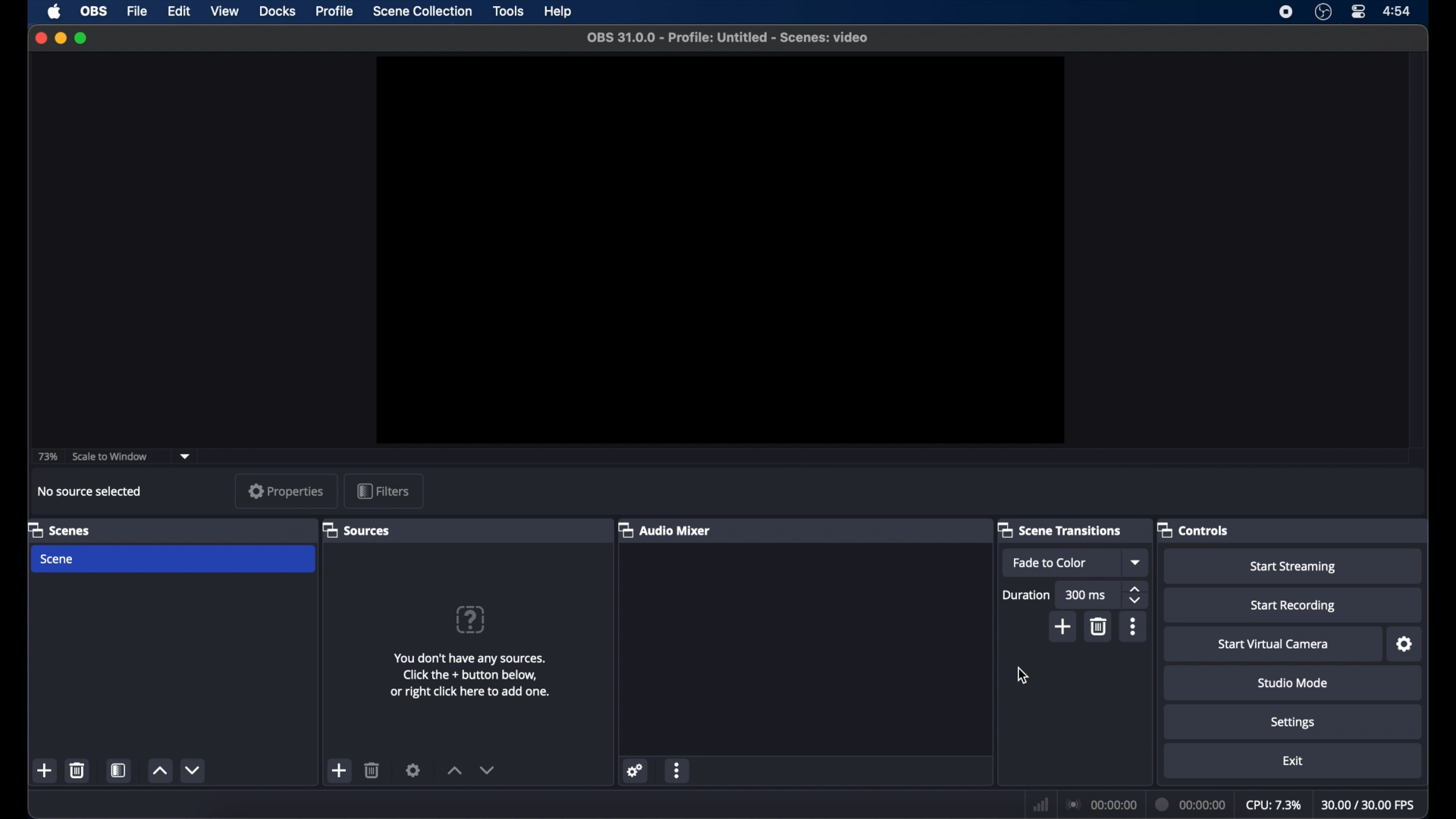 The height and width of the screenshot is (819, 1456). Describe the element at coordinates (664, 529) in the screenshot. I see `audio mixer` at that location.